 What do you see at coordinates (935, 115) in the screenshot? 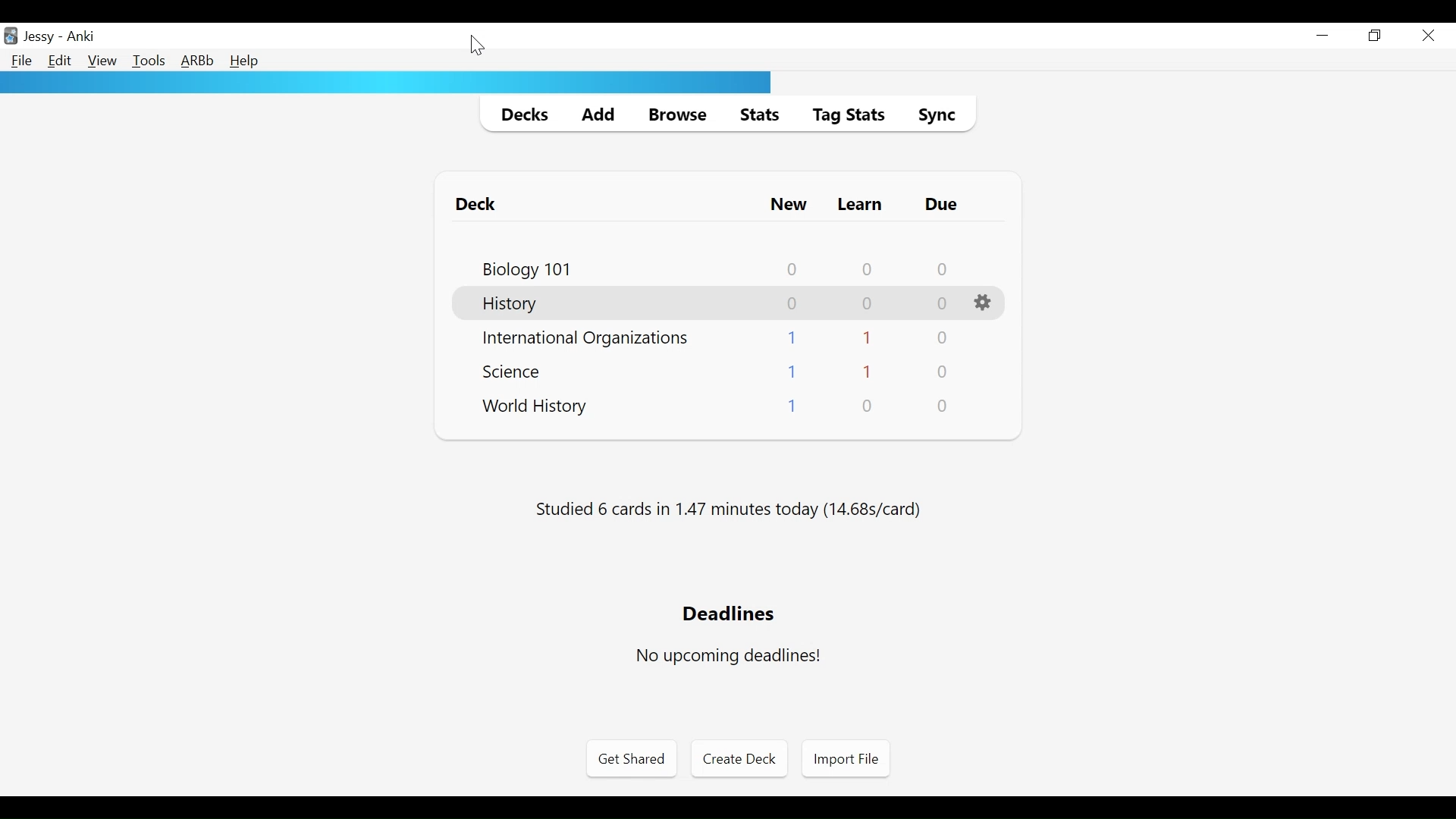
I see `Sync` at bounding box center [935, 115].